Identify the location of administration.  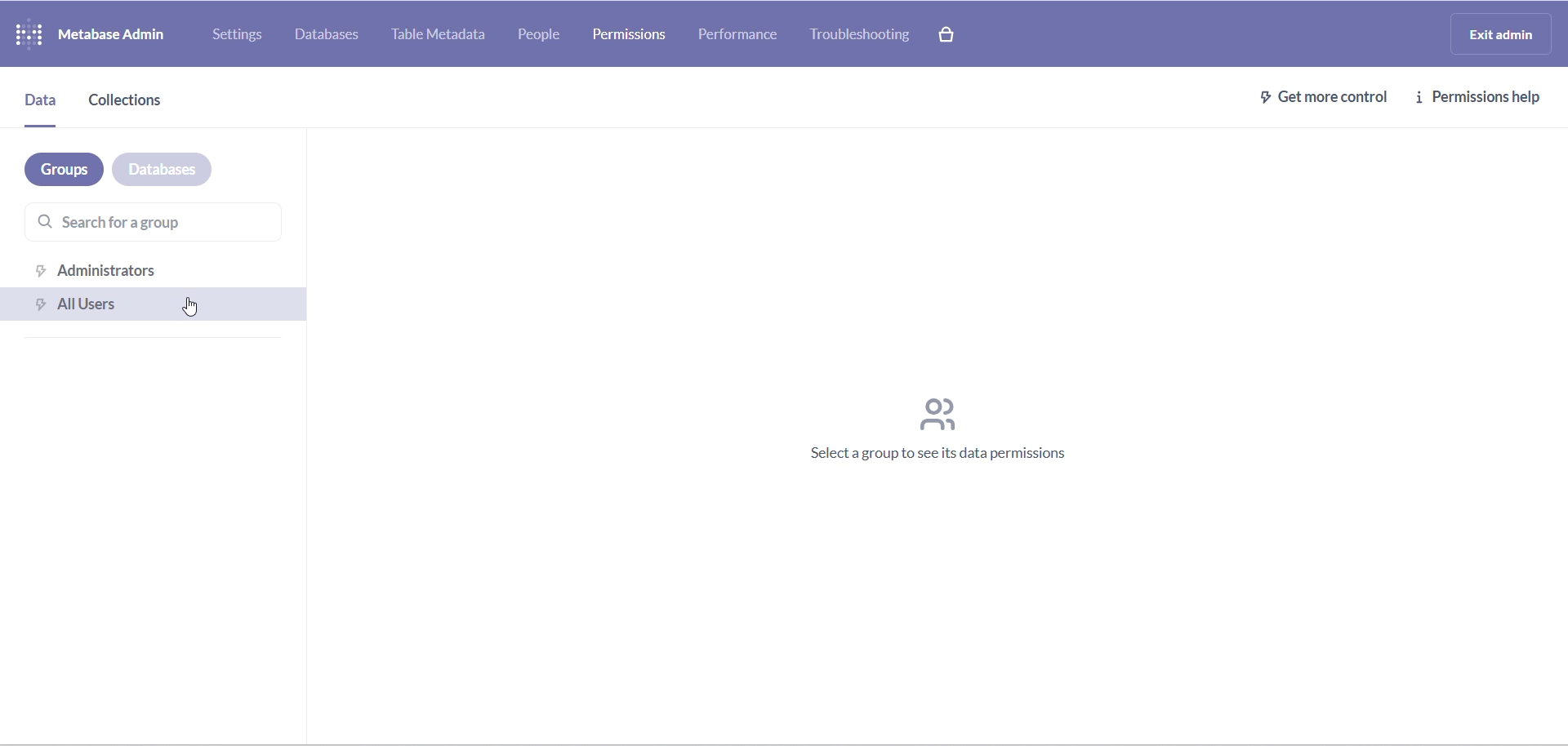
(161, 269).